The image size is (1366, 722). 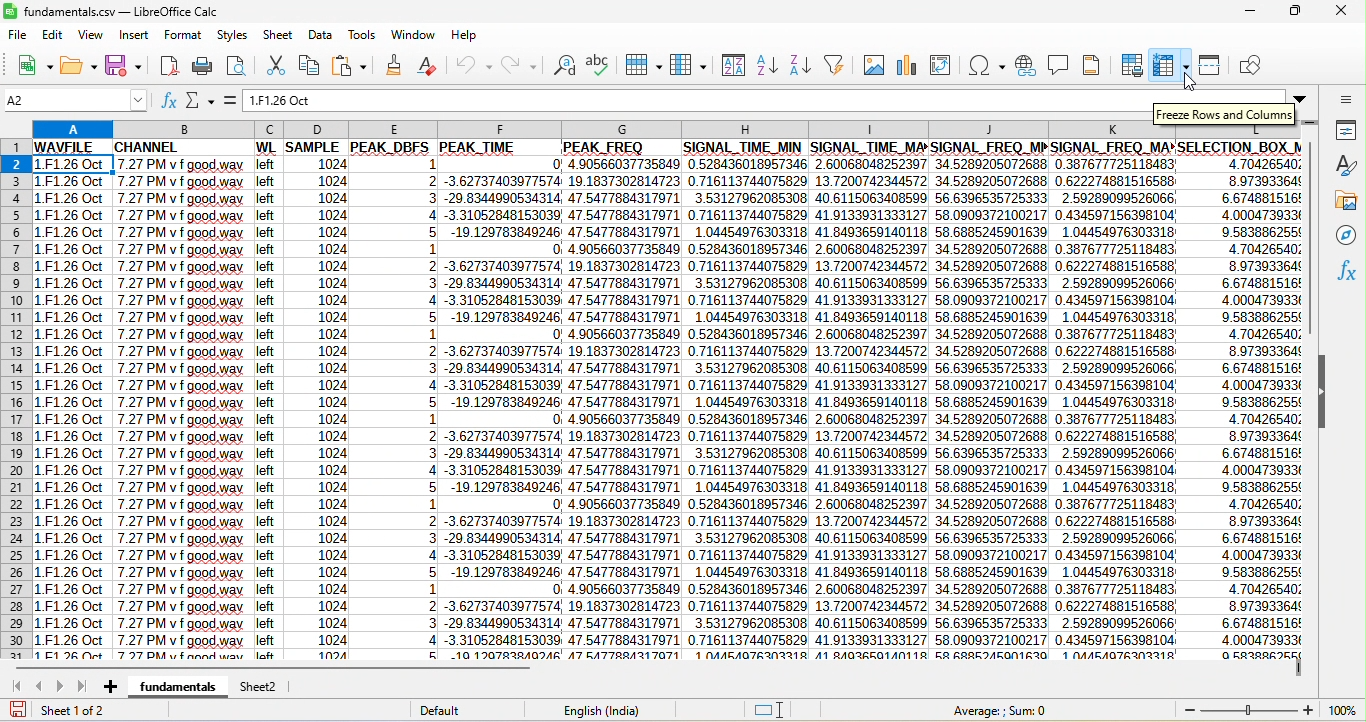 I want to click on navigator, so click(x=1349, y=237).